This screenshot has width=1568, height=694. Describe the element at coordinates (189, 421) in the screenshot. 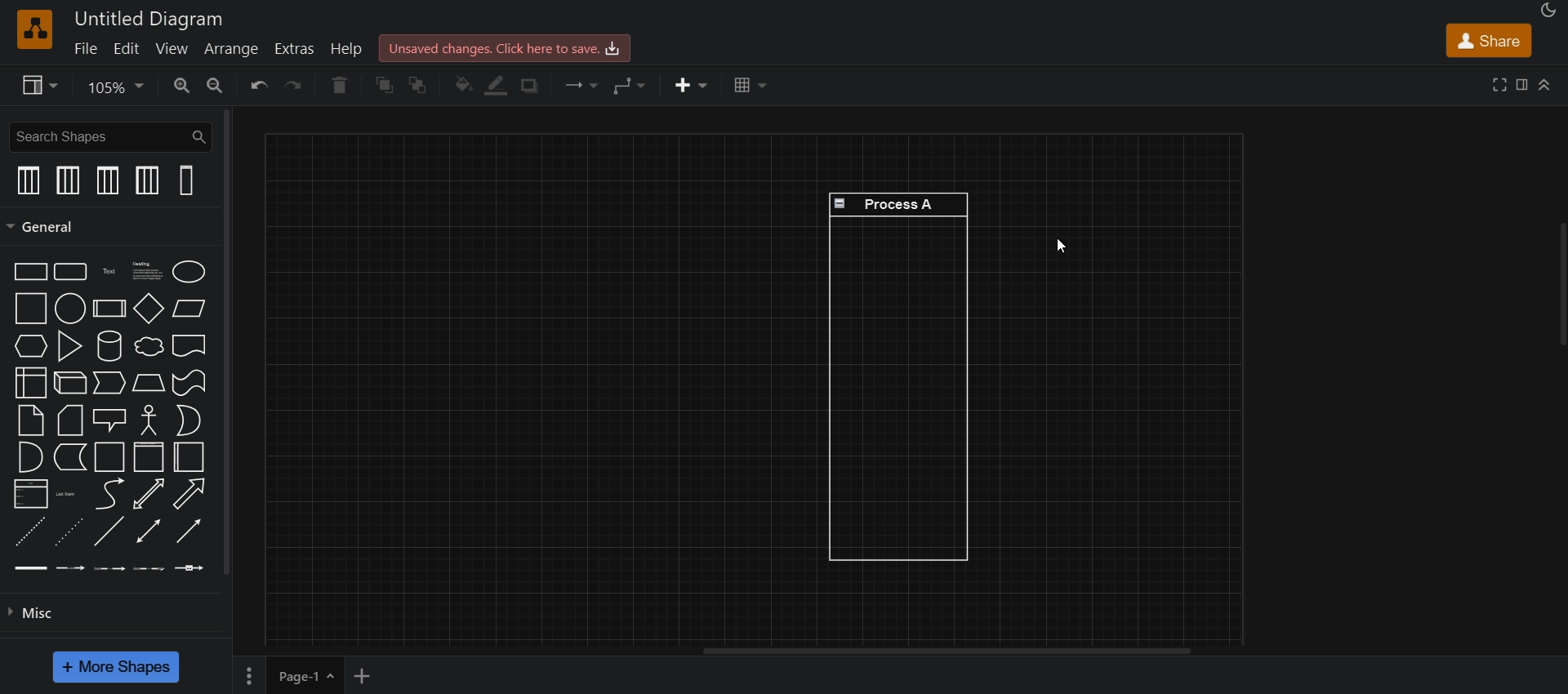

I see `or` at that location.